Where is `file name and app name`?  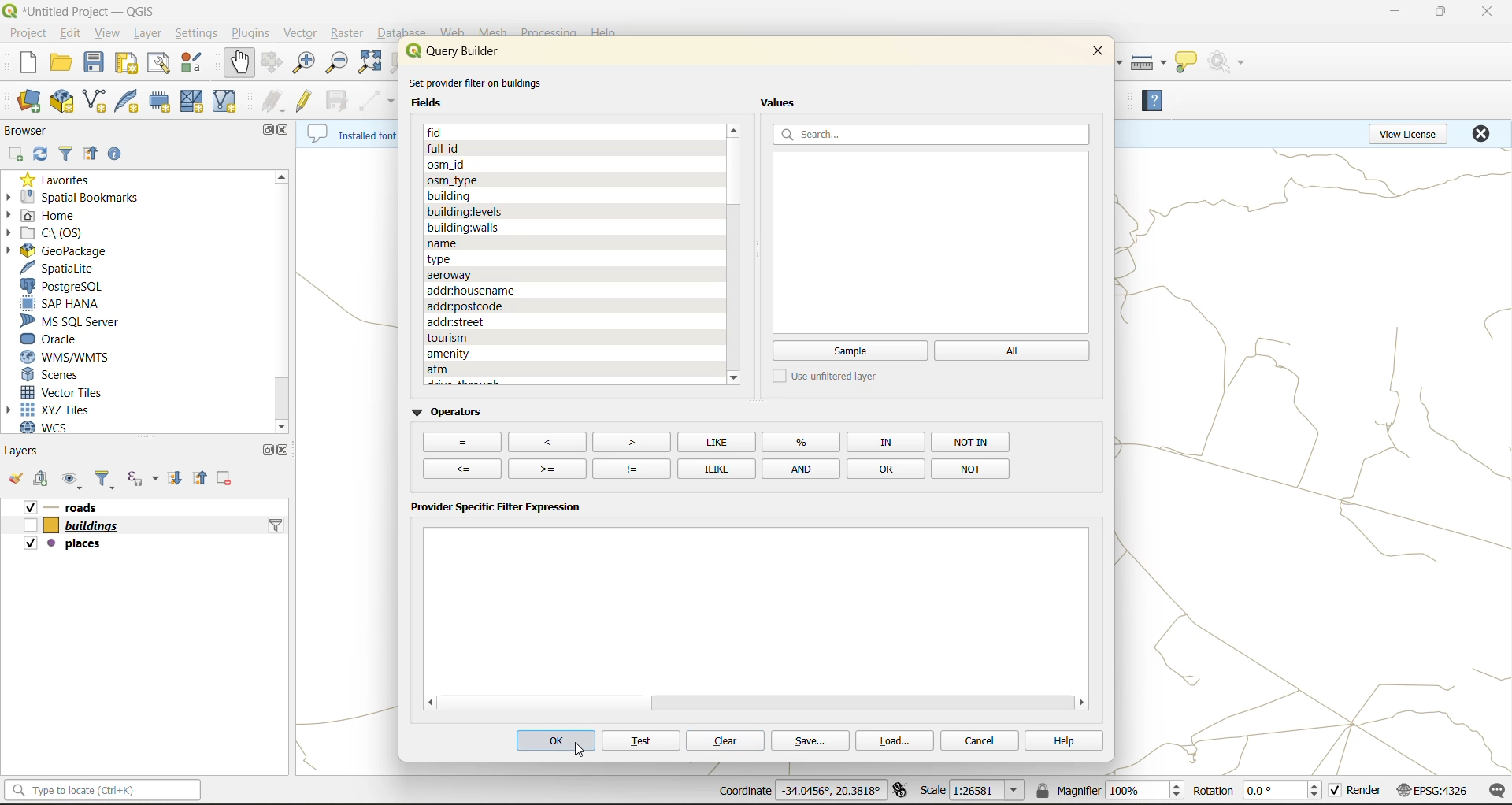 file name and app name is located at coordinates (86, 10).